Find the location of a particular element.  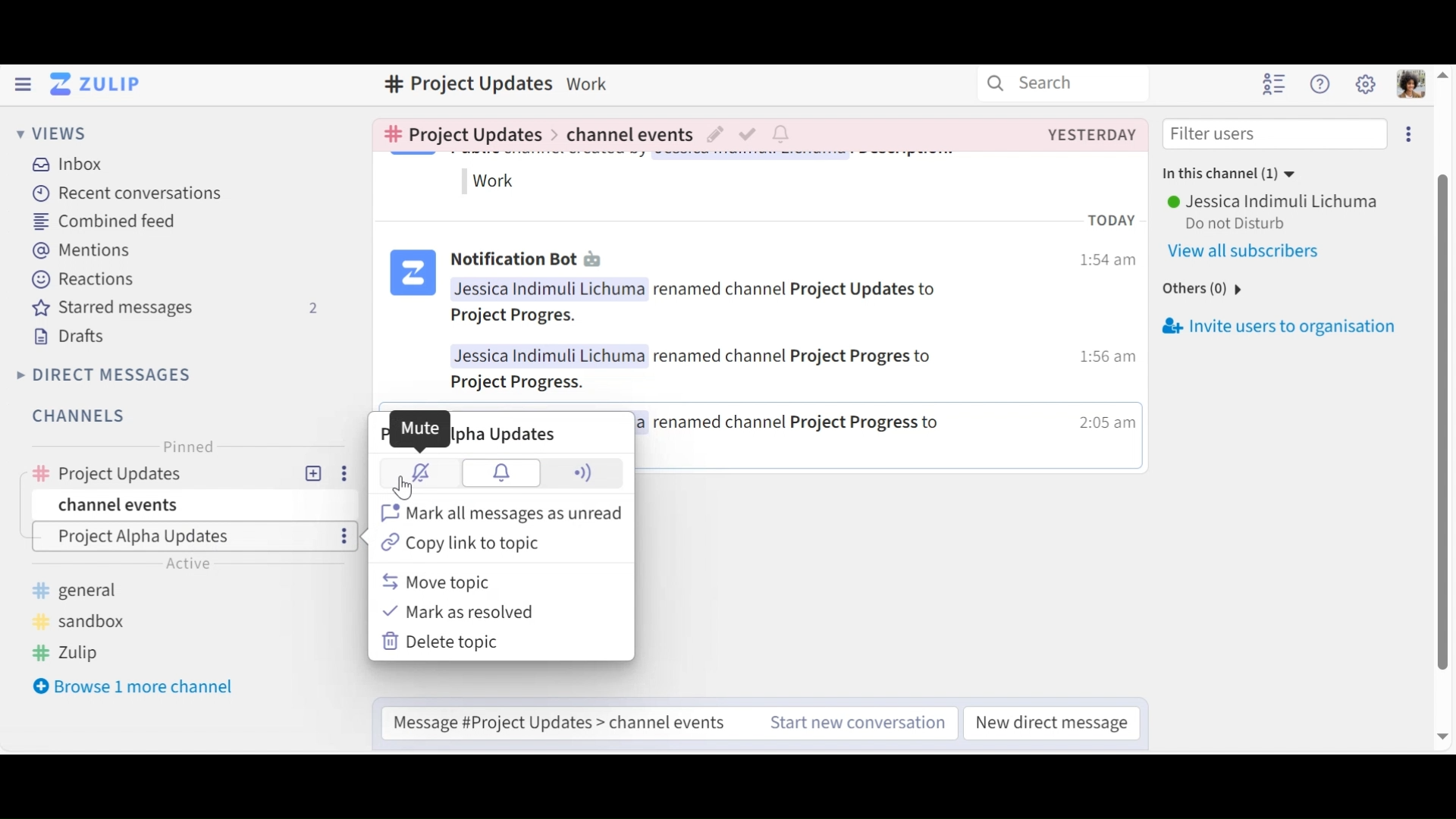

Combined feed is located at coordinates (102, 221).